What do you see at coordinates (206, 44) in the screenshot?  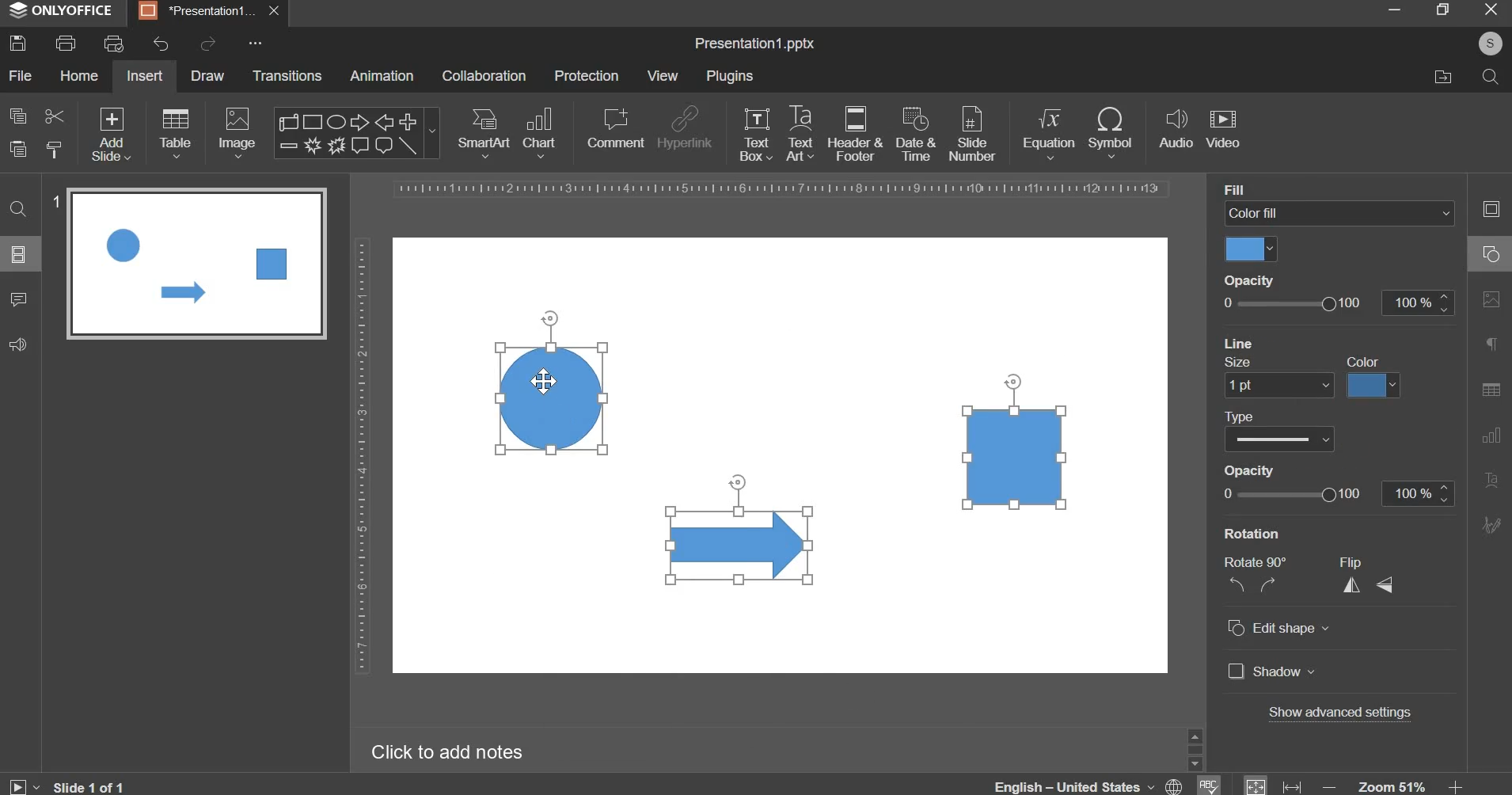 I see `redo` at bounding box center [206, 44].